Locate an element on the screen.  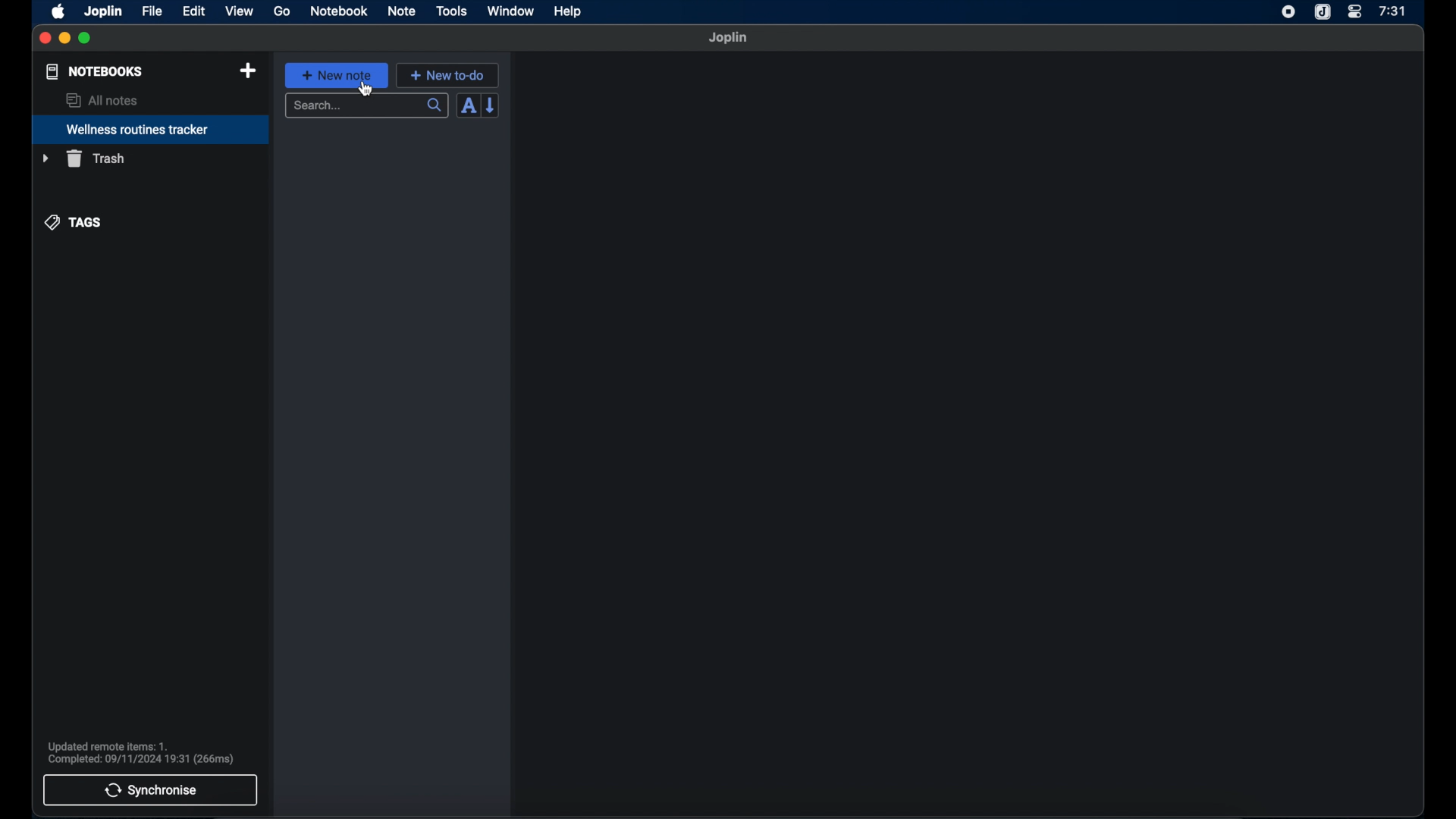
close is located at coordinates (45, 39).